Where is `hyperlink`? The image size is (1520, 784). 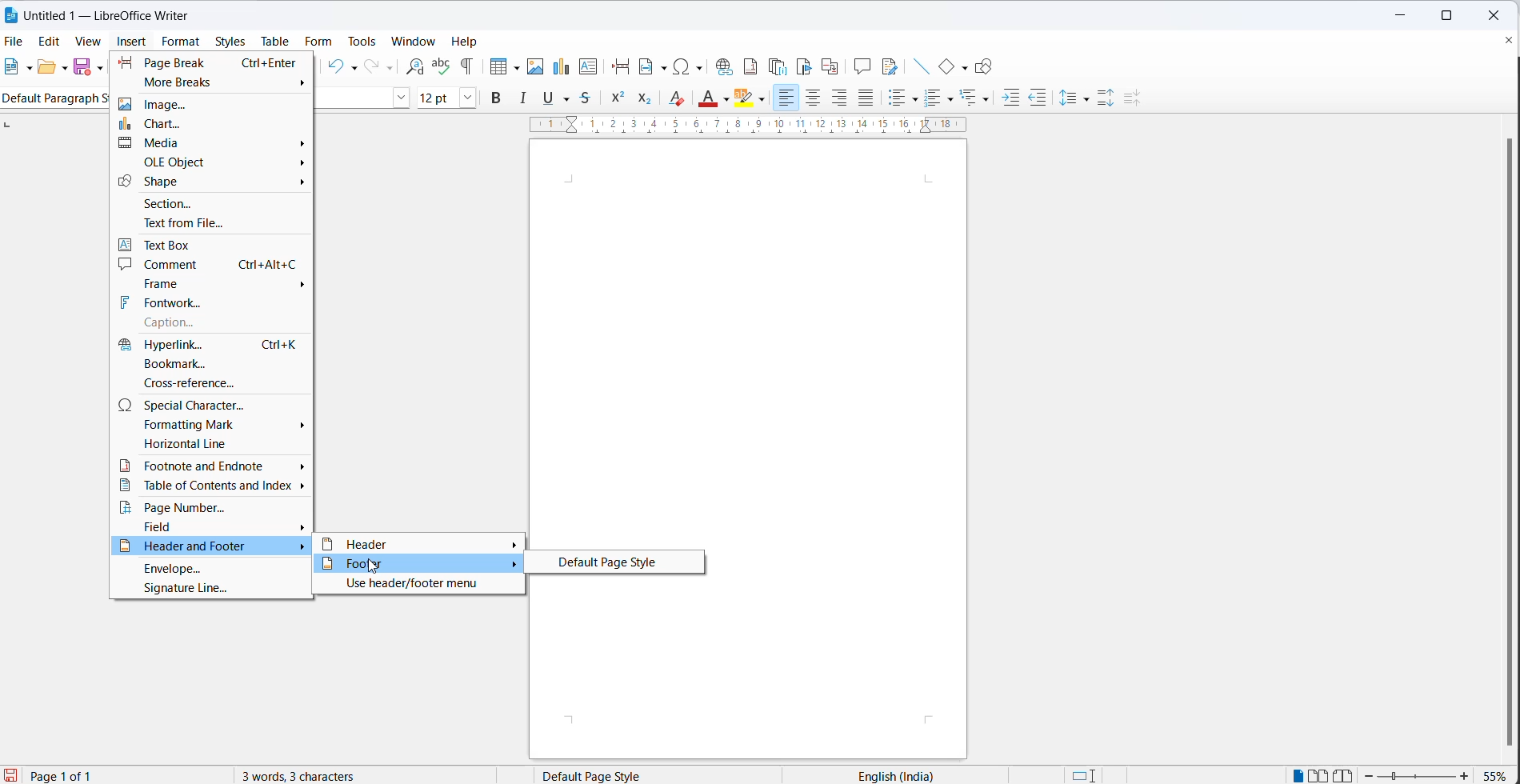 hyperlink is located at coordinates (209, 345).